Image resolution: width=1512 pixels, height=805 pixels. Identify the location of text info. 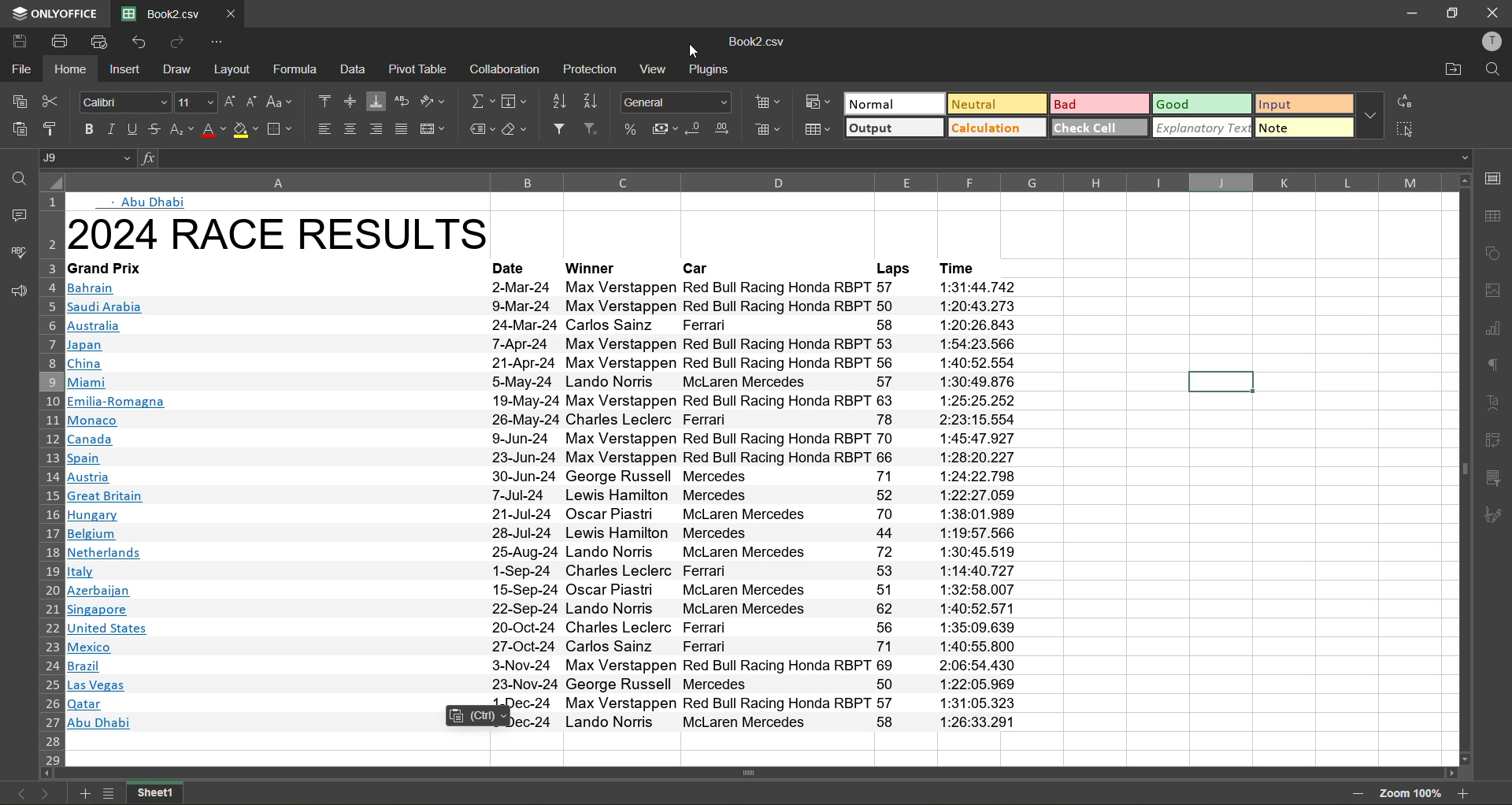
(542, 440).